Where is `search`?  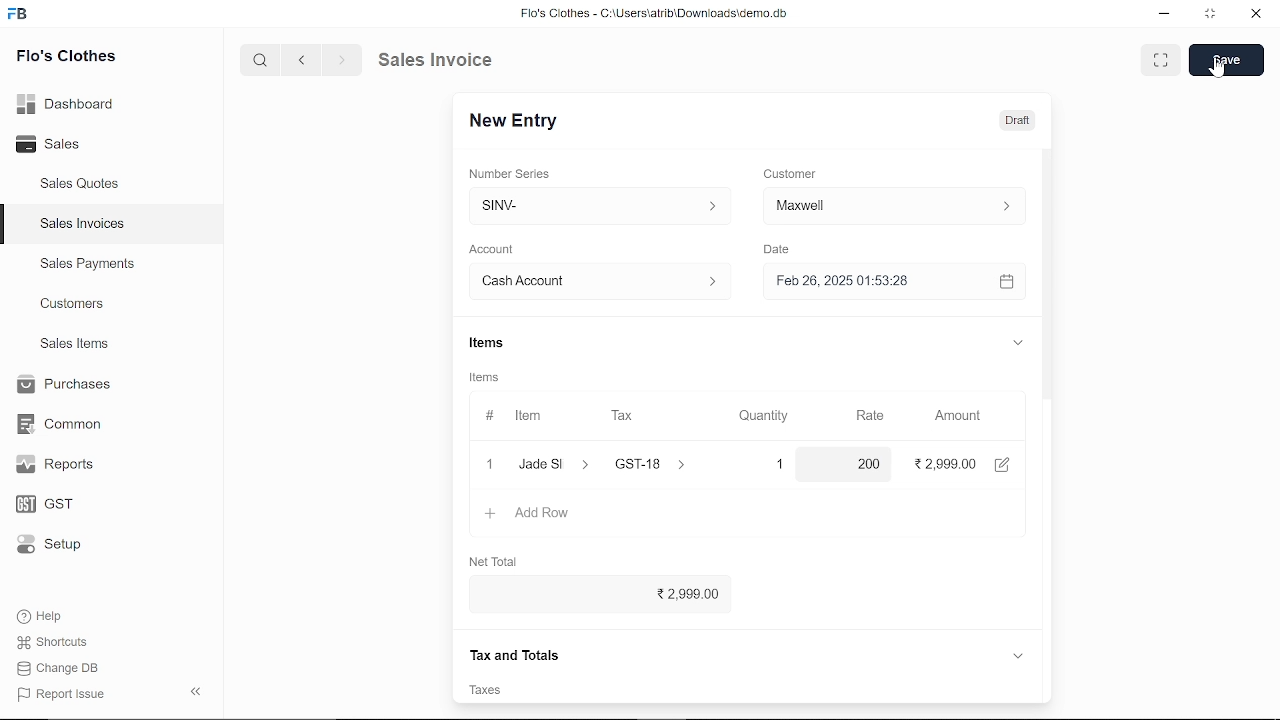
search is located at coordinates (262, 59).